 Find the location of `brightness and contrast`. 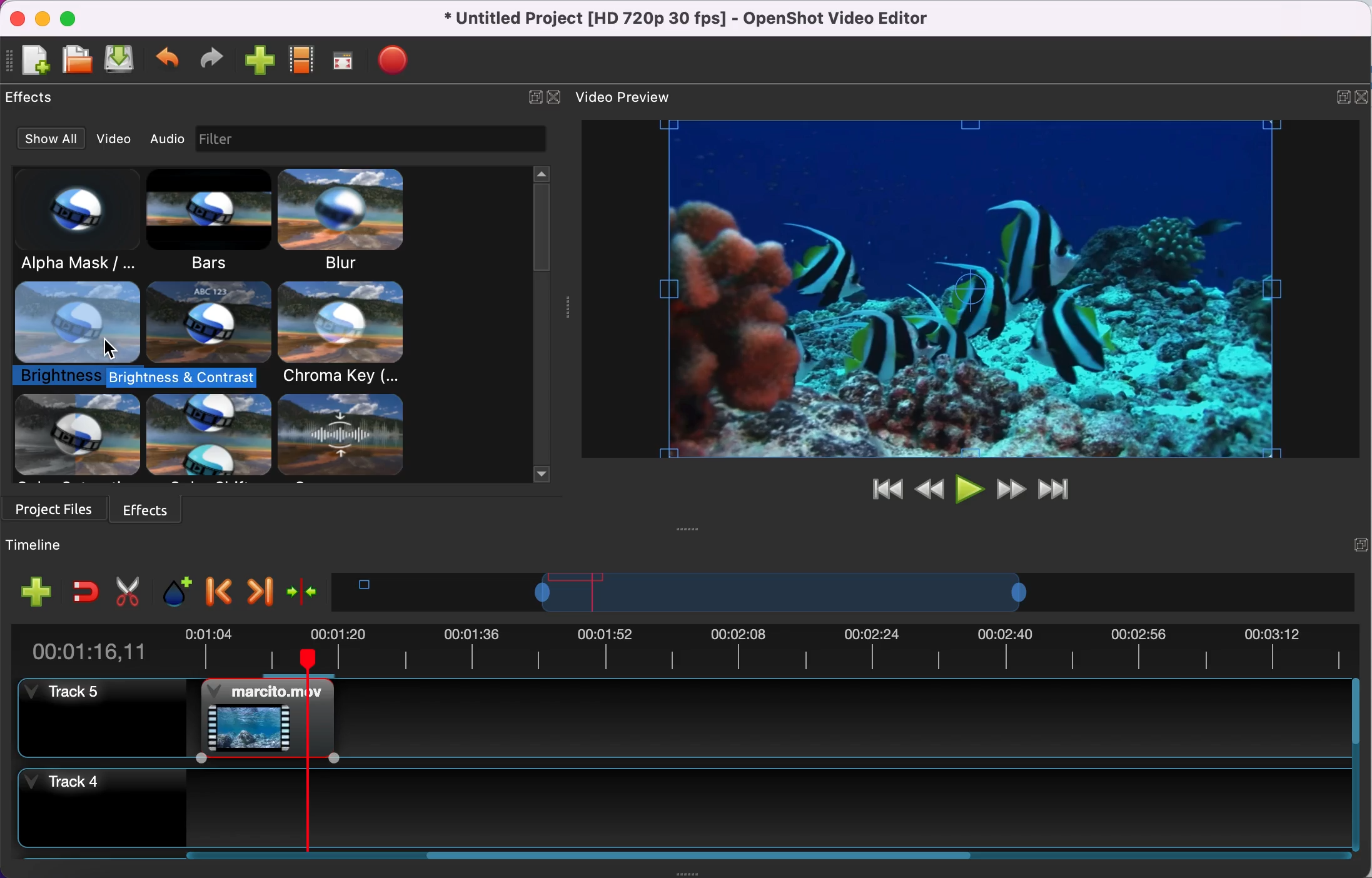

brightness and contrast is located at coordinates (78, 336).